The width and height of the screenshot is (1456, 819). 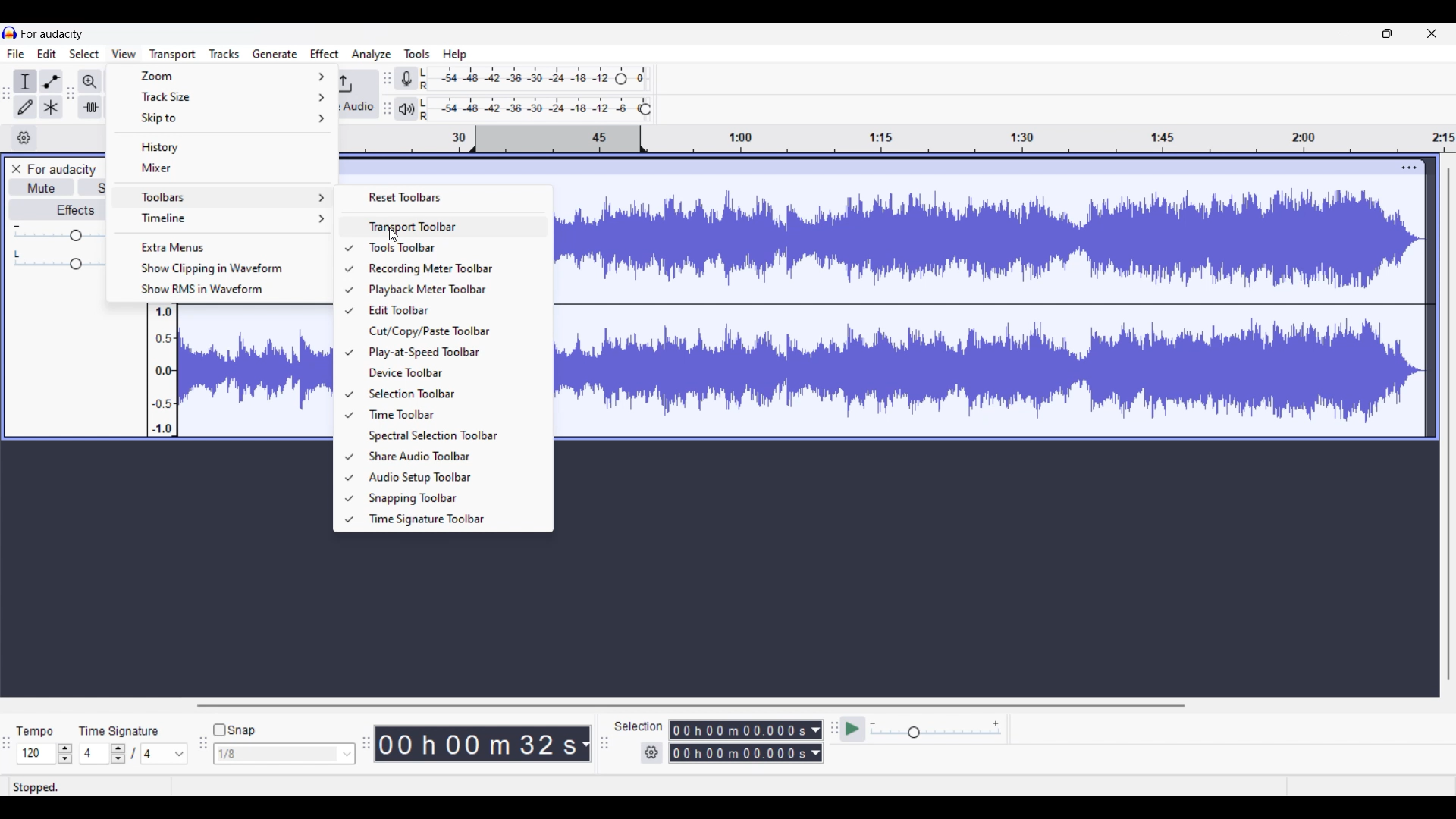 I want to click on Analyze menu, so click(x=372, y=55).